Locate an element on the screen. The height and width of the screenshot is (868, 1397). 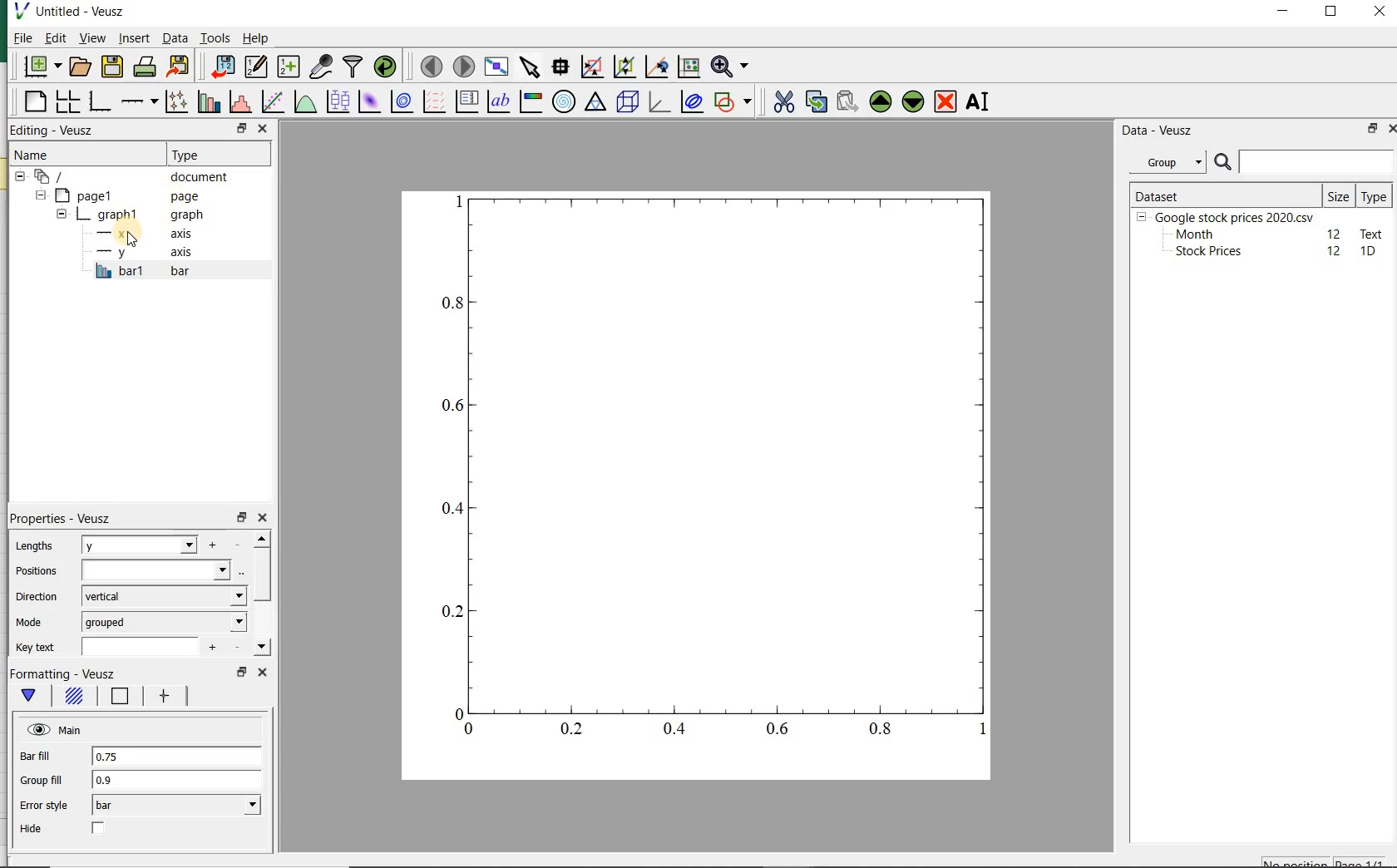
Hide is located at coordinates (40, 831).